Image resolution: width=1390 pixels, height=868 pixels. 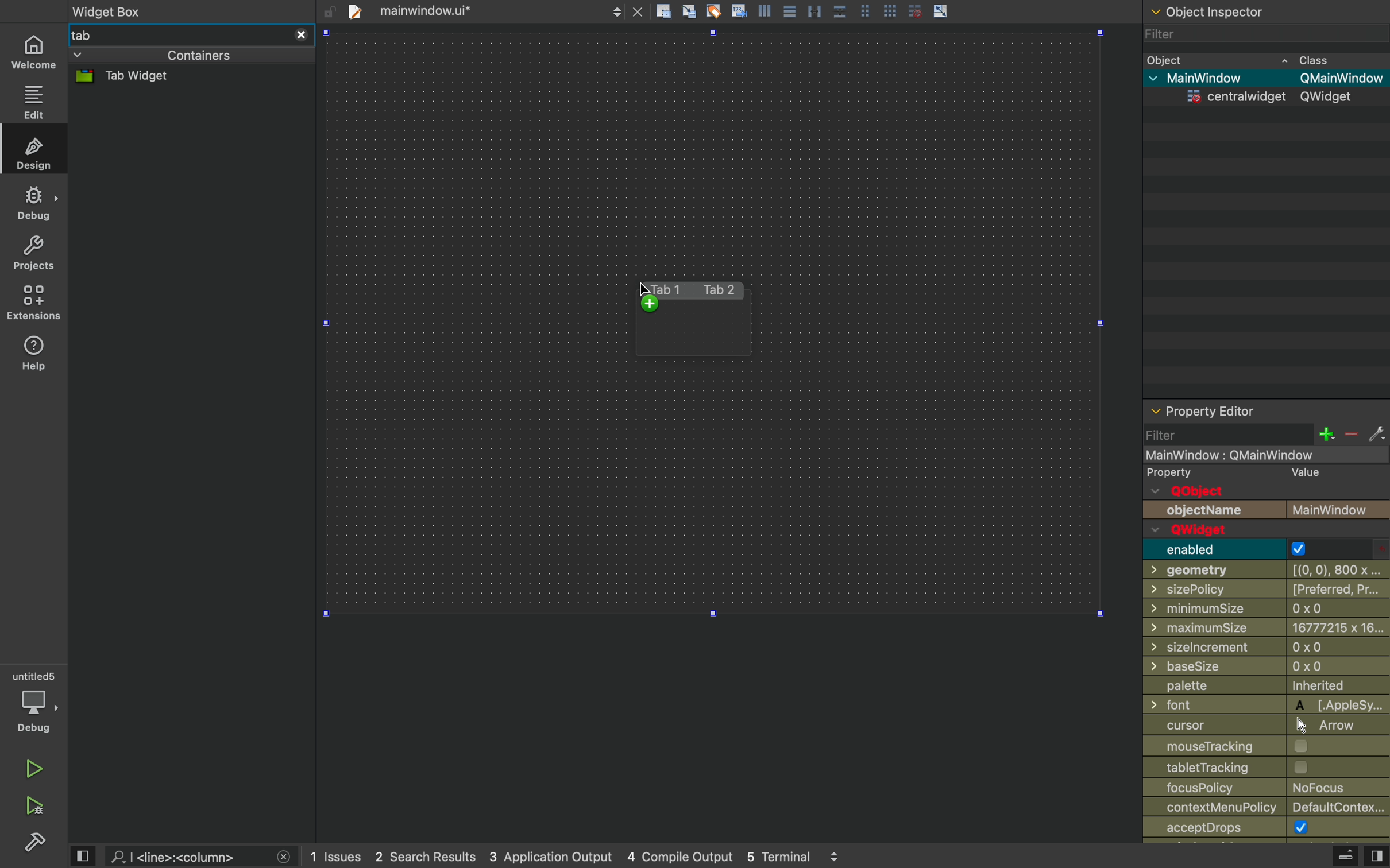 What do you see at coordinates (33, 150) in the screenshot?
I see `design` at bounding box center [33, 150].